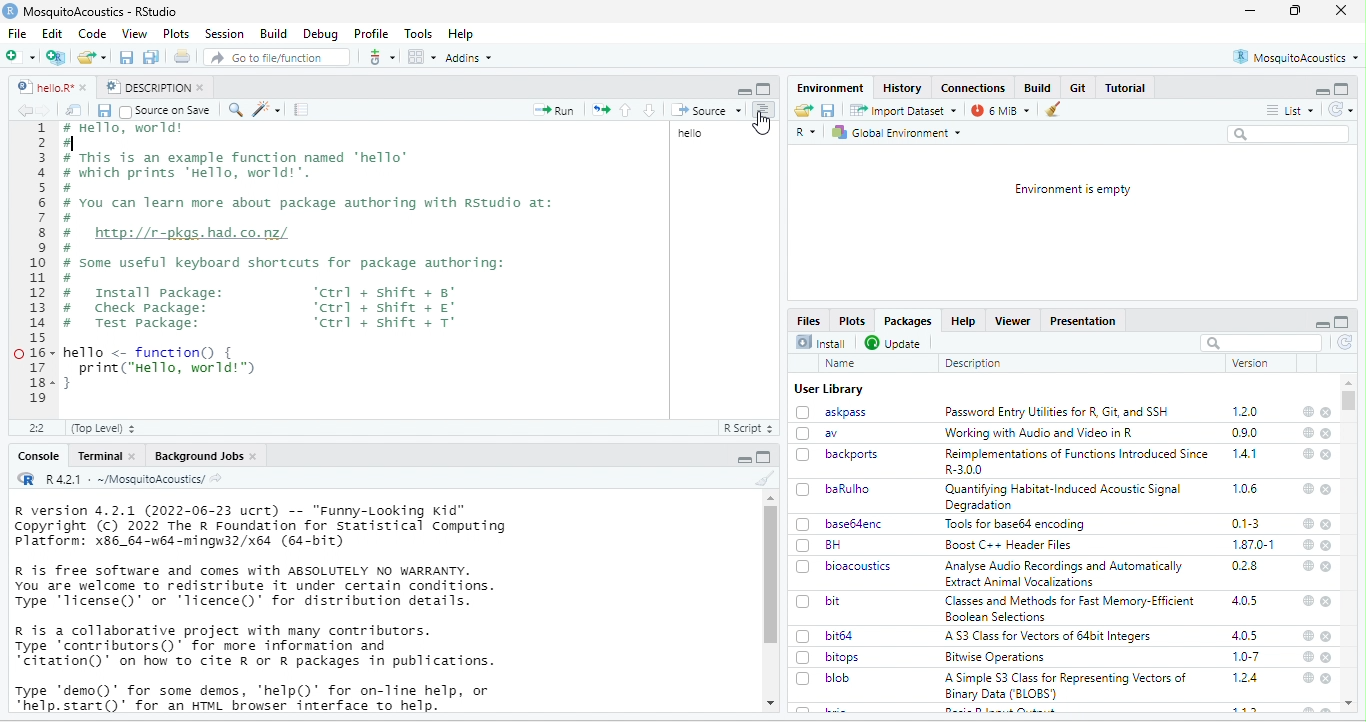 This screenshot has height=722, width=1366. What do you see at coordinates (224, 34) in the screenshot?
I see `Session` at bounding box center [224, 34].